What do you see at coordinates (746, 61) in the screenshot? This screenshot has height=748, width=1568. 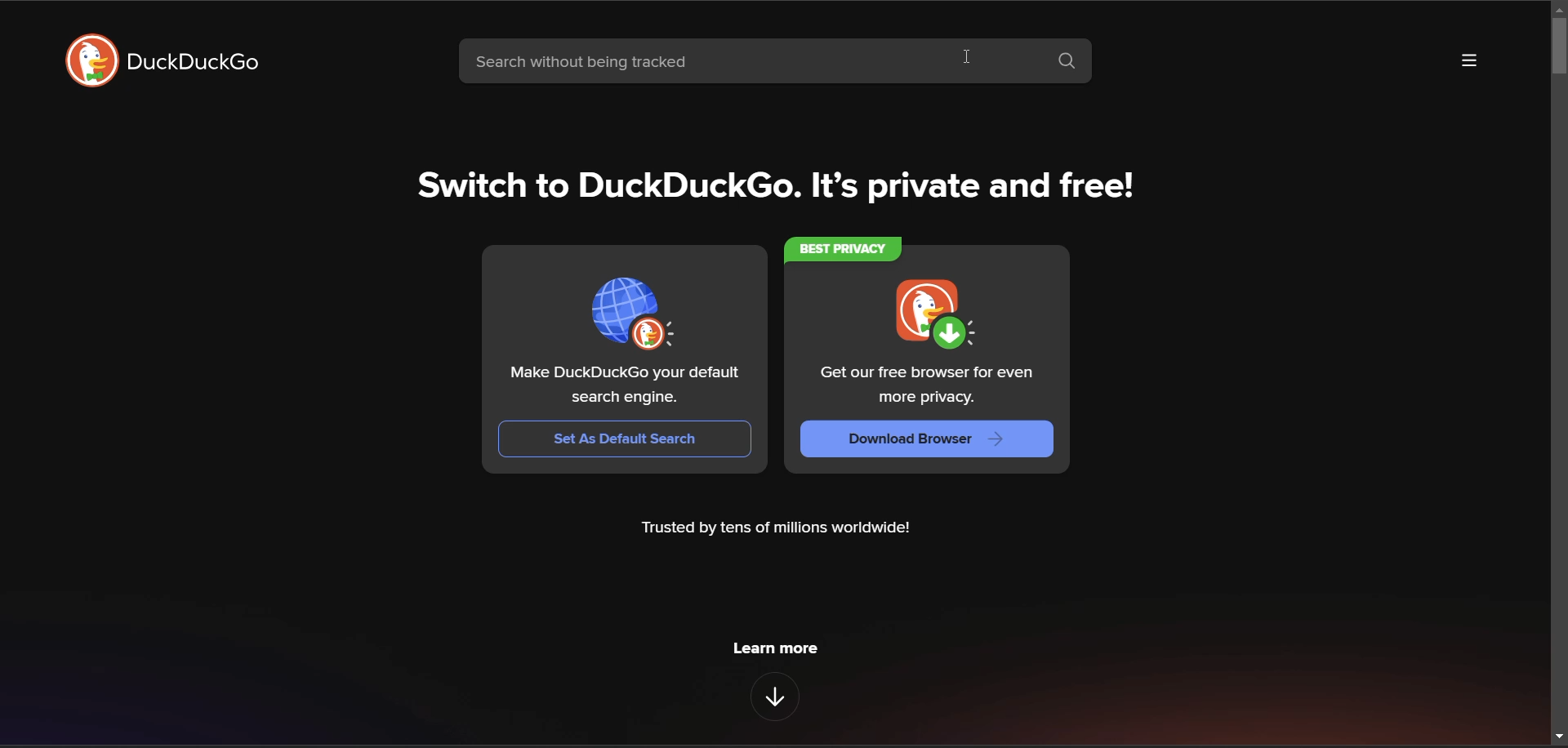 I see `search bar` at bounding box center [746, 61].